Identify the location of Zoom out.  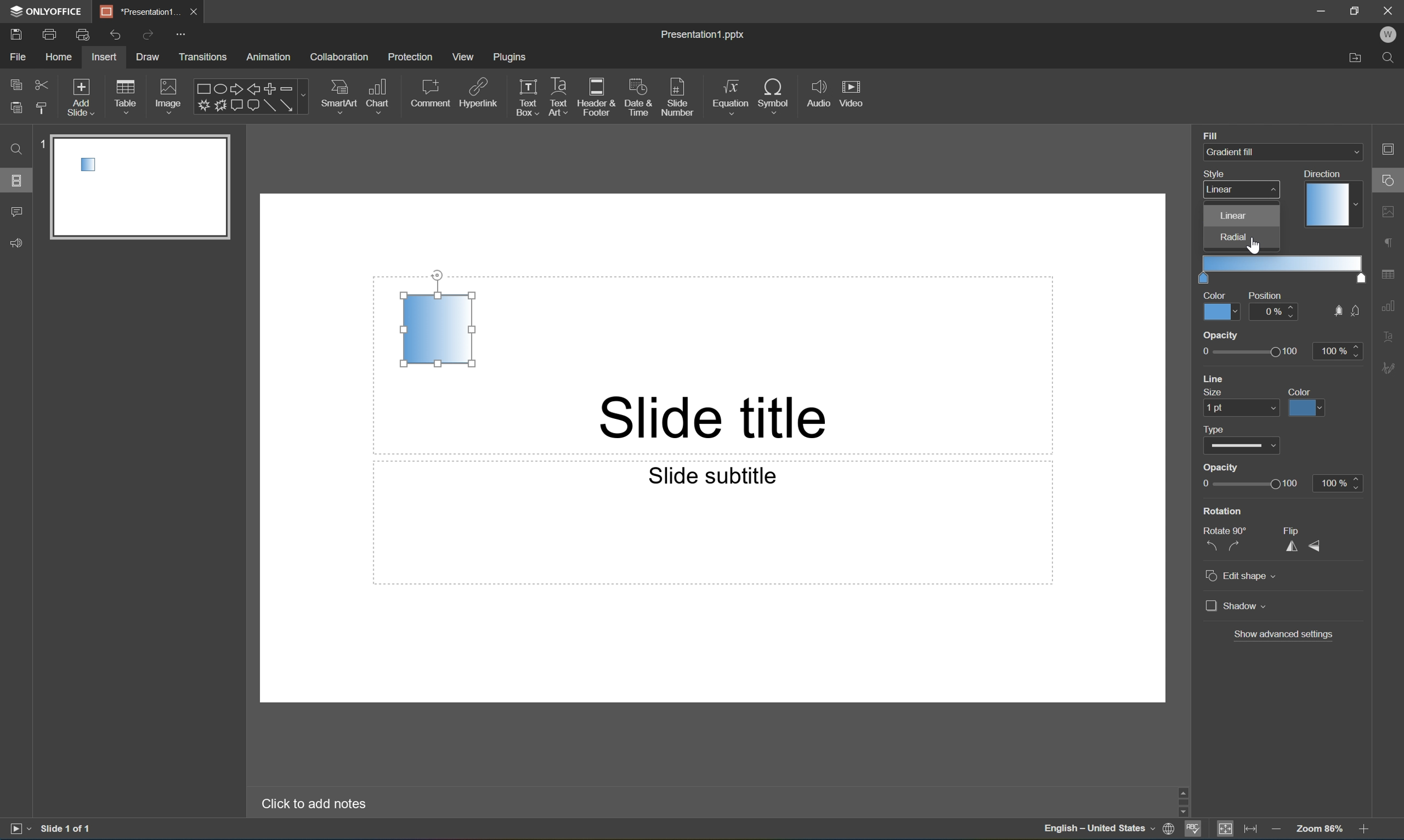
(1273, 827).